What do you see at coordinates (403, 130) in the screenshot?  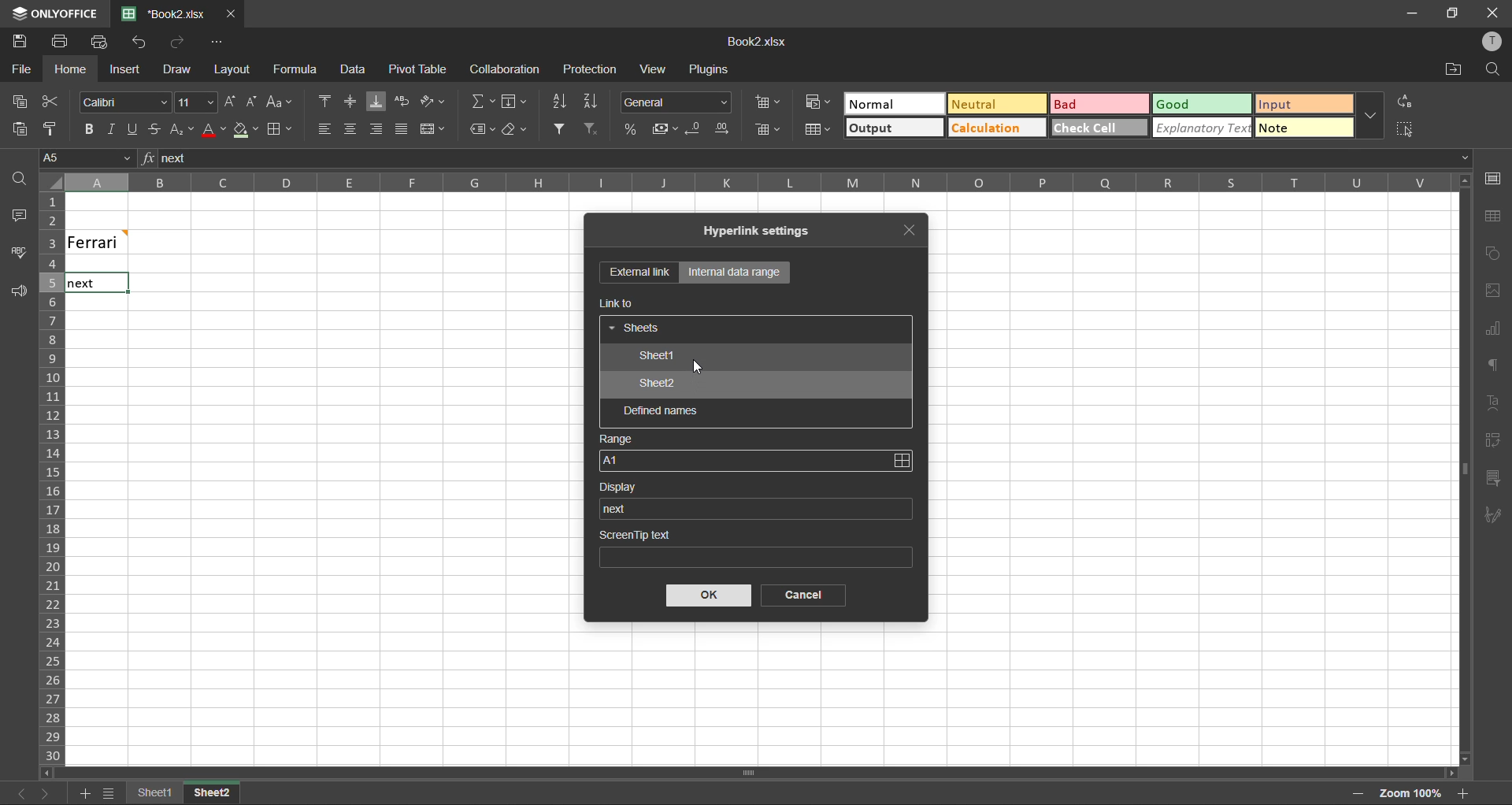 I see `justified` at bounding box center [403, 130].